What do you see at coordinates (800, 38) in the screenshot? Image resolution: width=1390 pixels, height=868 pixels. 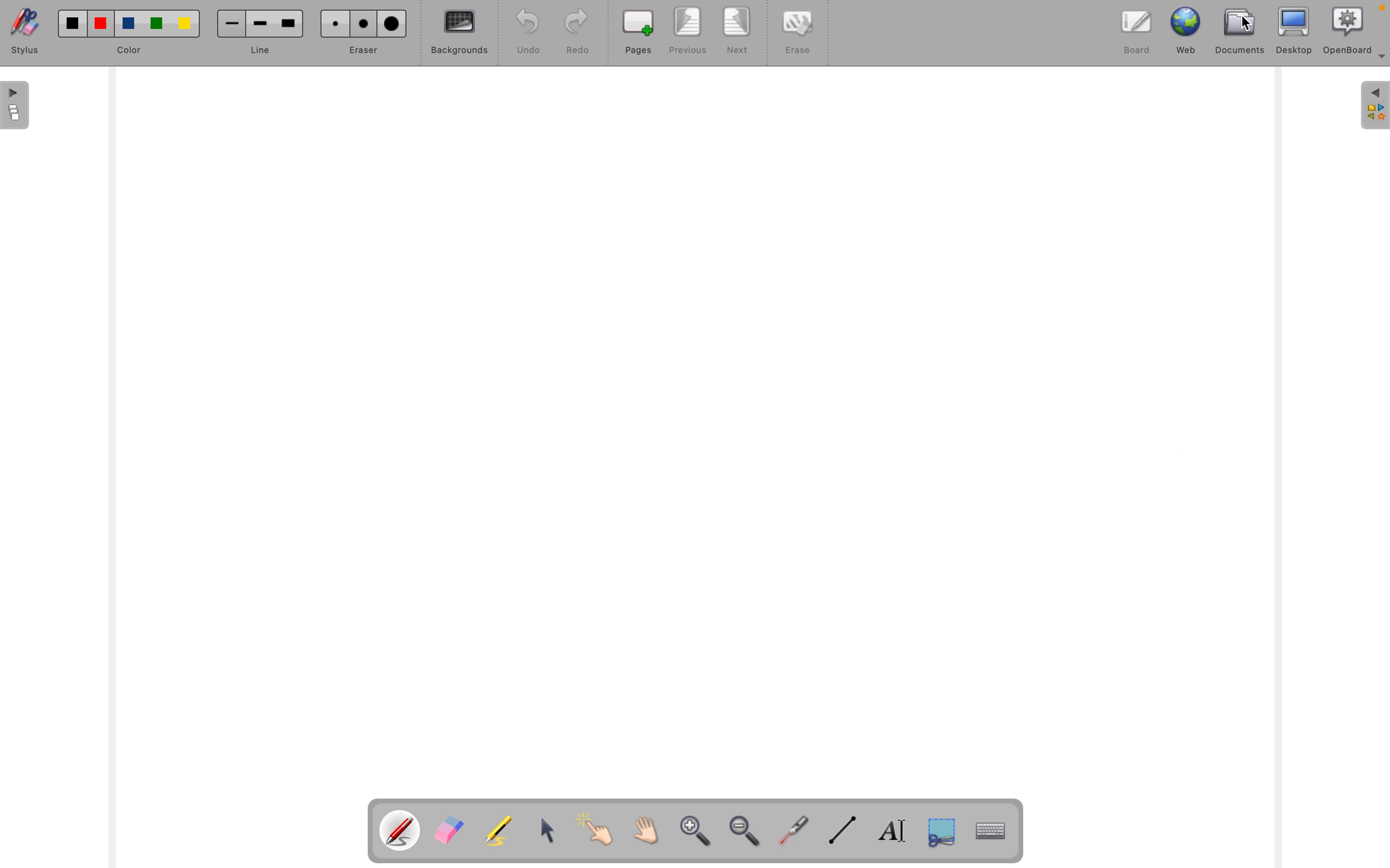 I see `erase` at bounding box center [800, 38].